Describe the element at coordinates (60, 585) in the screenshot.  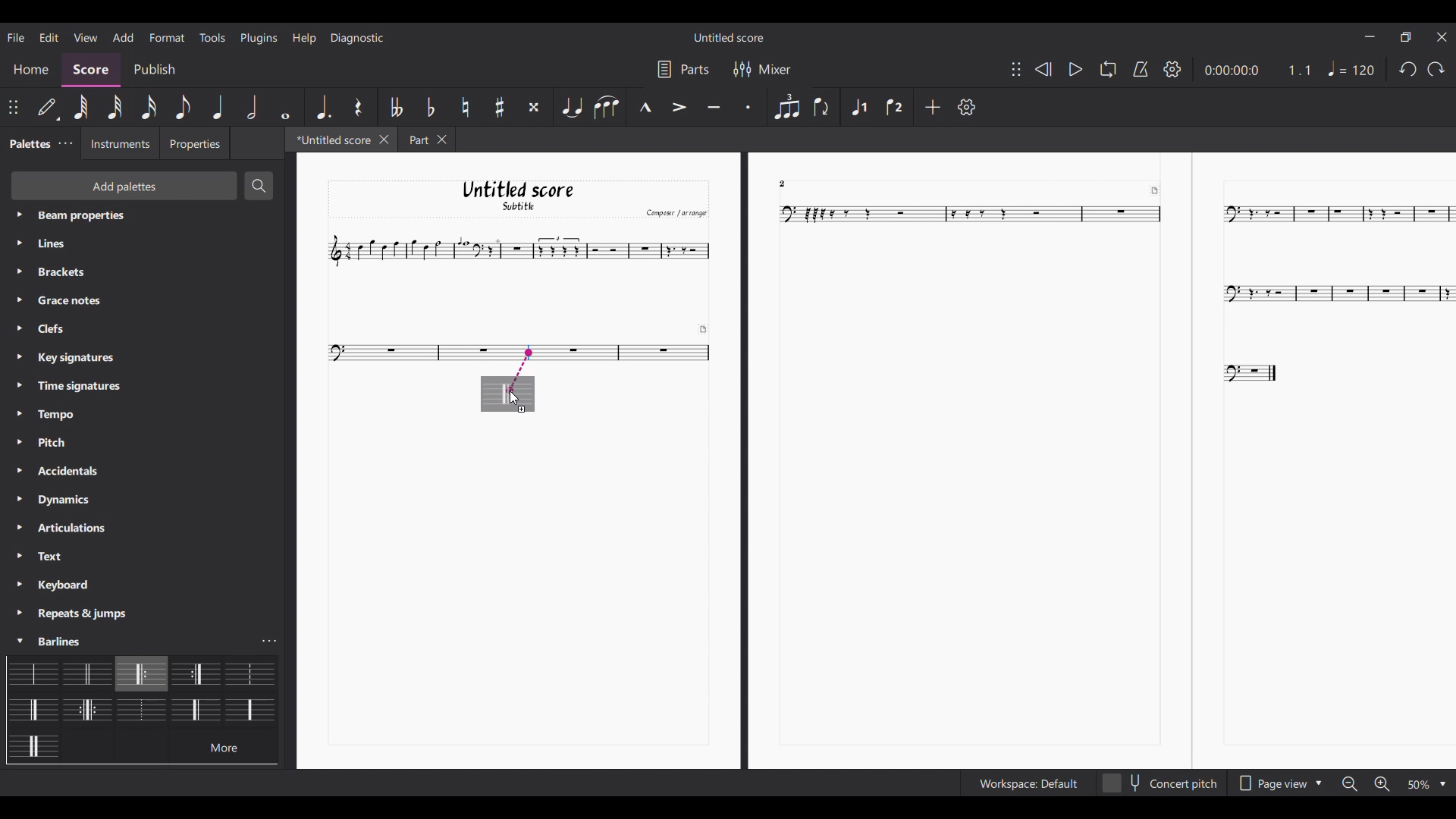
I see `Palette settings` at that location.